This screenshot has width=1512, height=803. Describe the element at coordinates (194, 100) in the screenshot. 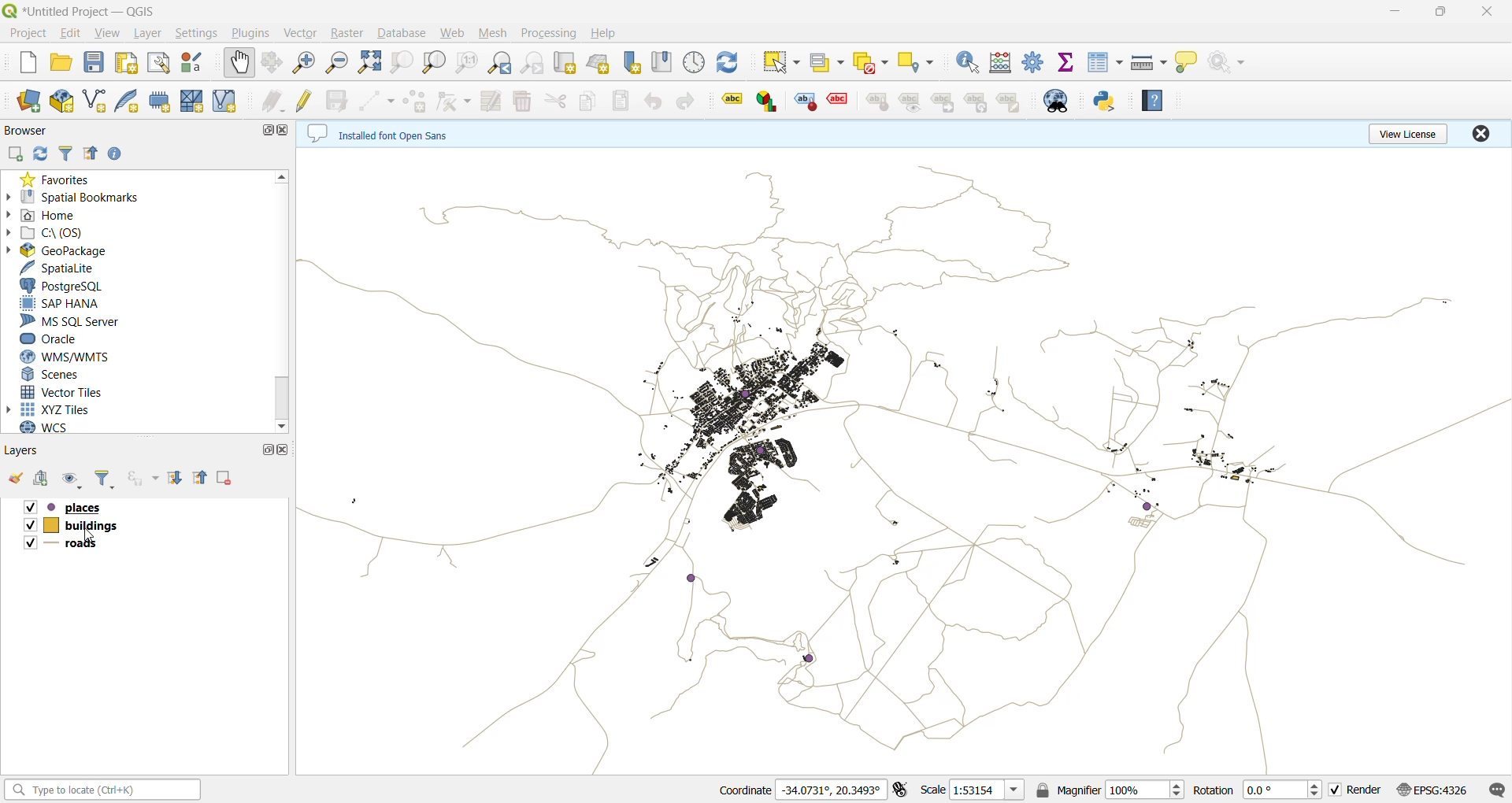

I see `new mesh layer` at that location.